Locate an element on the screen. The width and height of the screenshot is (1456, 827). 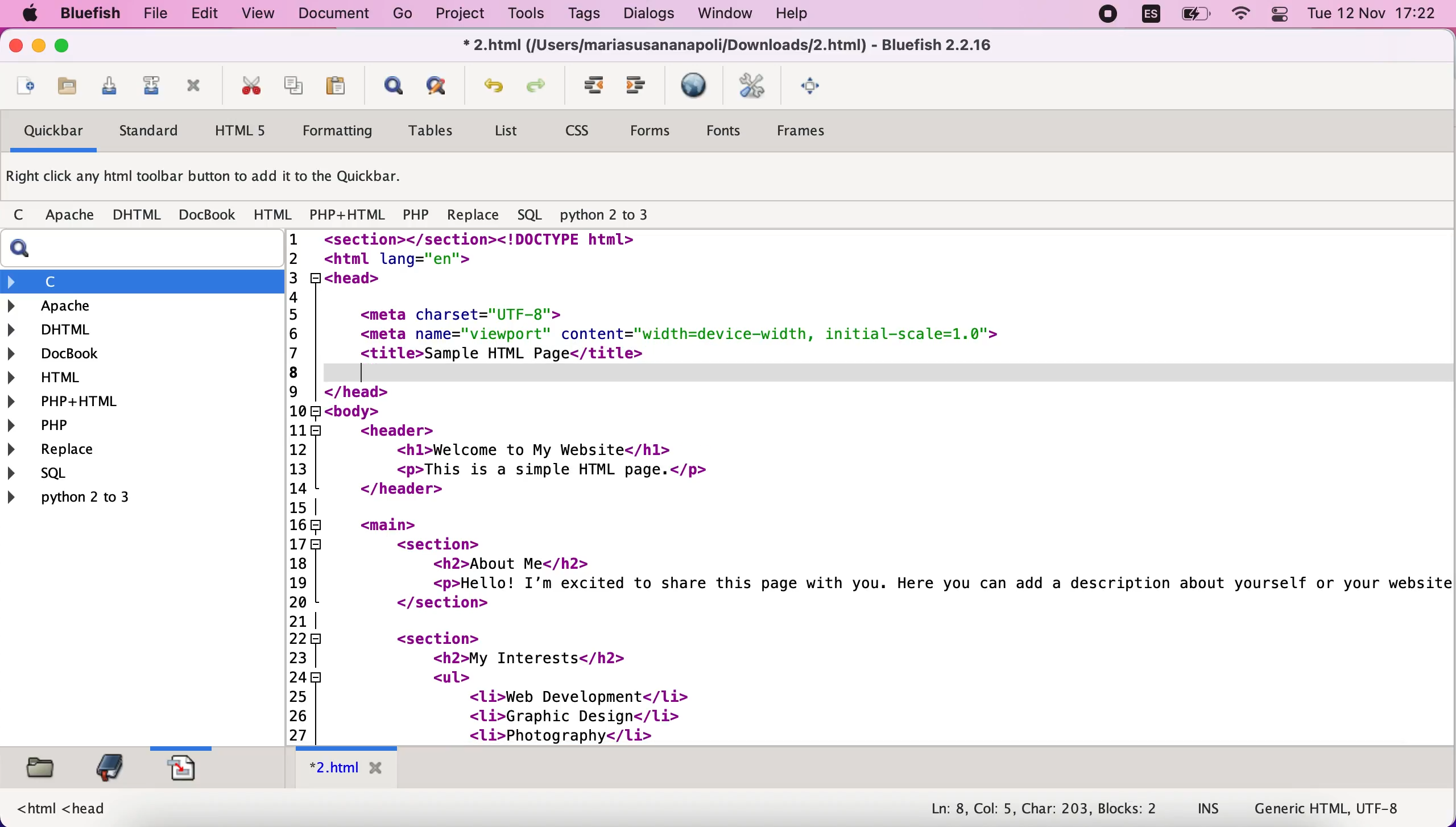
php is located at coordinates (417, 214).